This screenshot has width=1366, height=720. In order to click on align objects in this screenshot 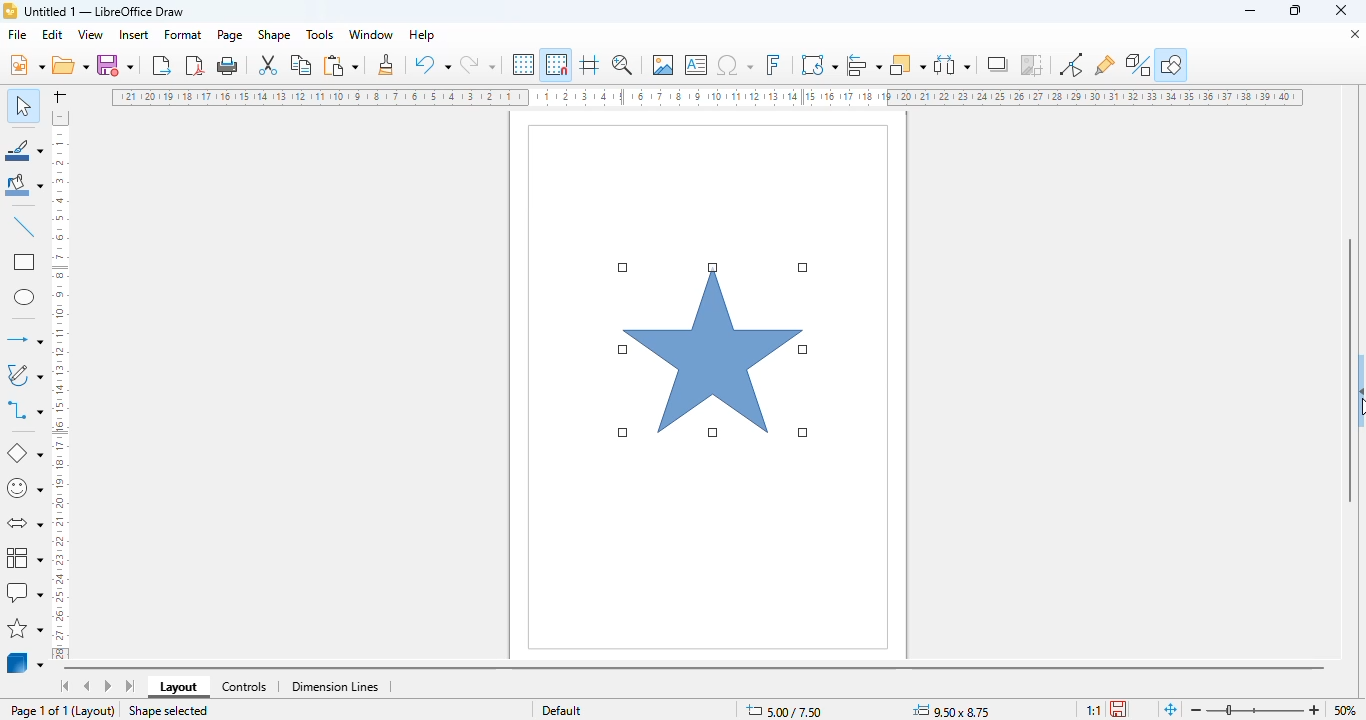, I will do `click(865, 64)`.